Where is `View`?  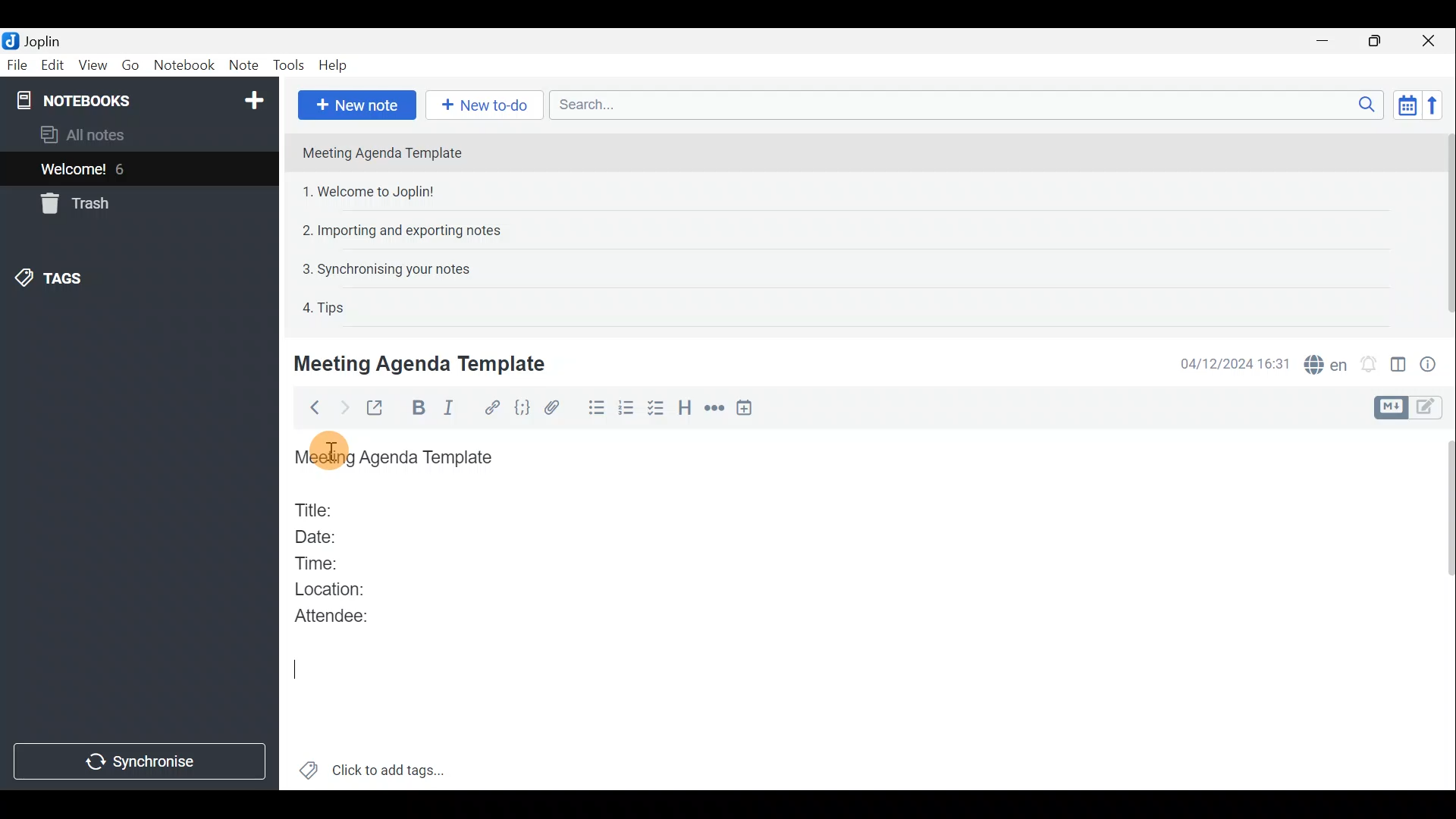
View is located at coordinates (90, 67).